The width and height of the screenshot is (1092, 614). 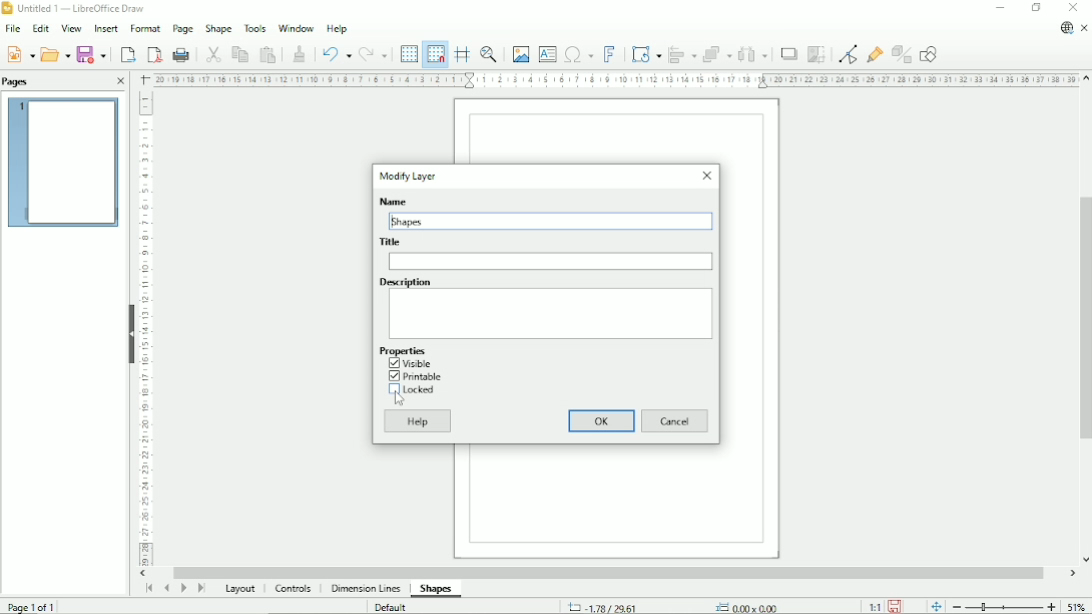 What do you see at coordinates (1074, 7) in the screenshot?
I see `Close` at bounding box center [1074, 7].